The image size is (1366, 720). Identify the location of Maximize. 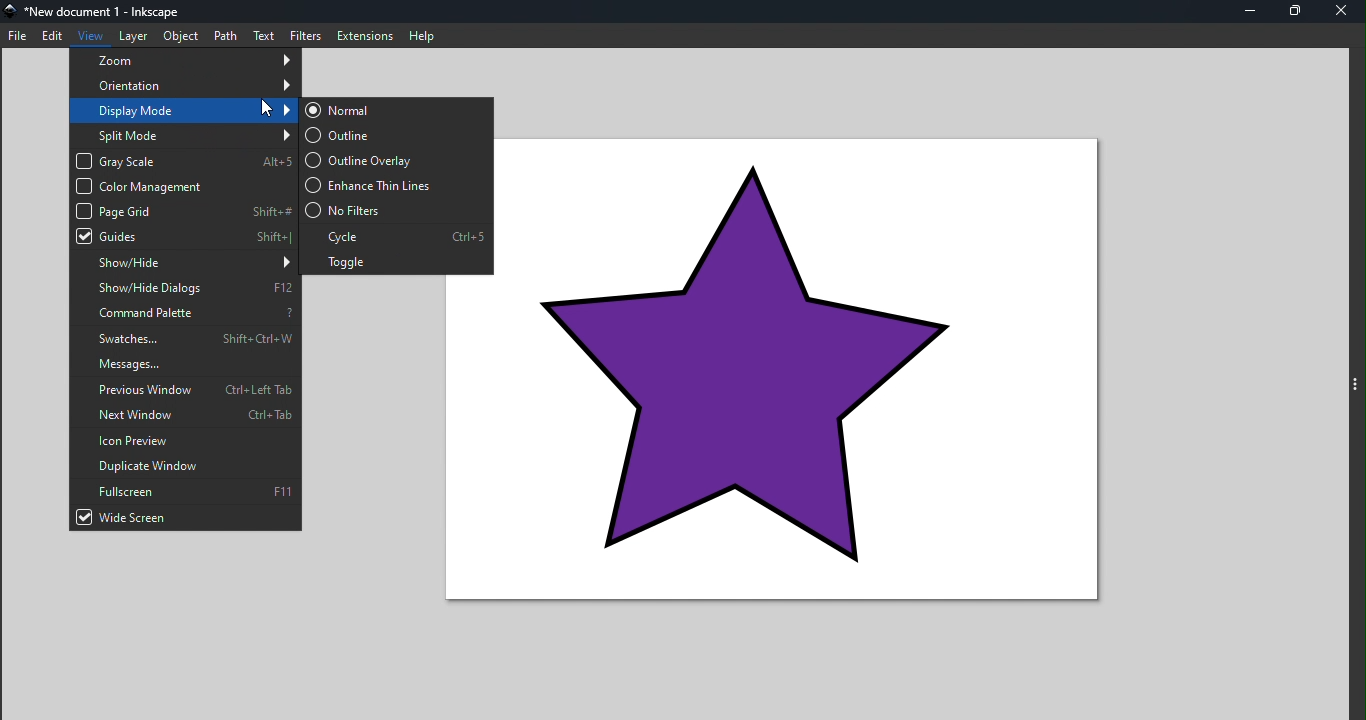
(1303, 12).